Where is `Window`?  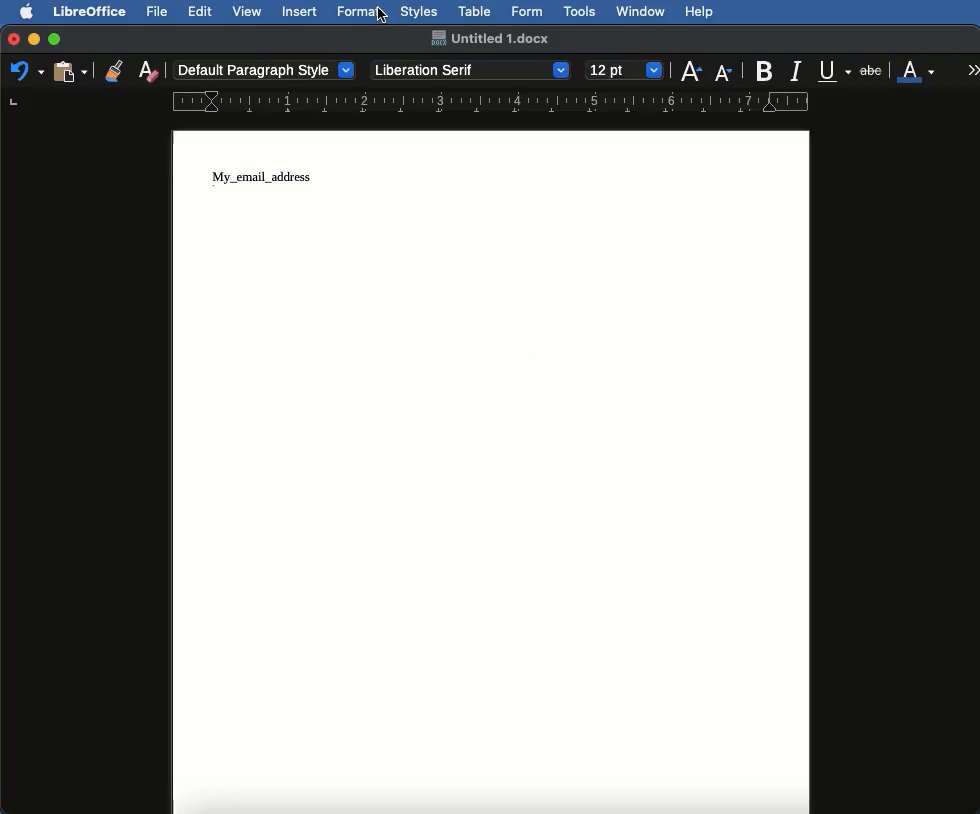
Window is located at coordinates (641, 12).